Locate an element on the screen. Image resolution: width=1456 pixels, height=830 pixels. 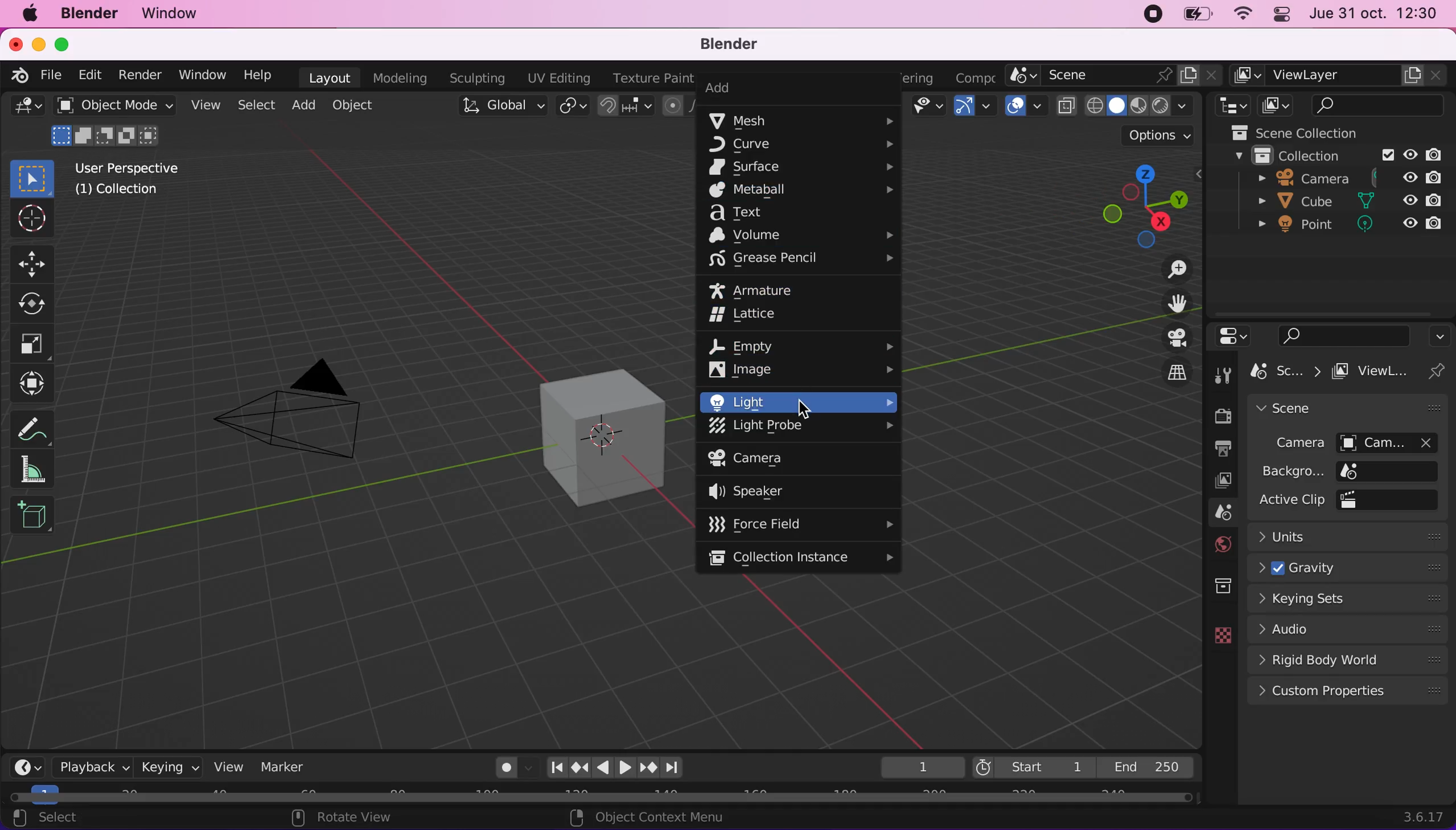
camera is located at coordinates (766, 458).